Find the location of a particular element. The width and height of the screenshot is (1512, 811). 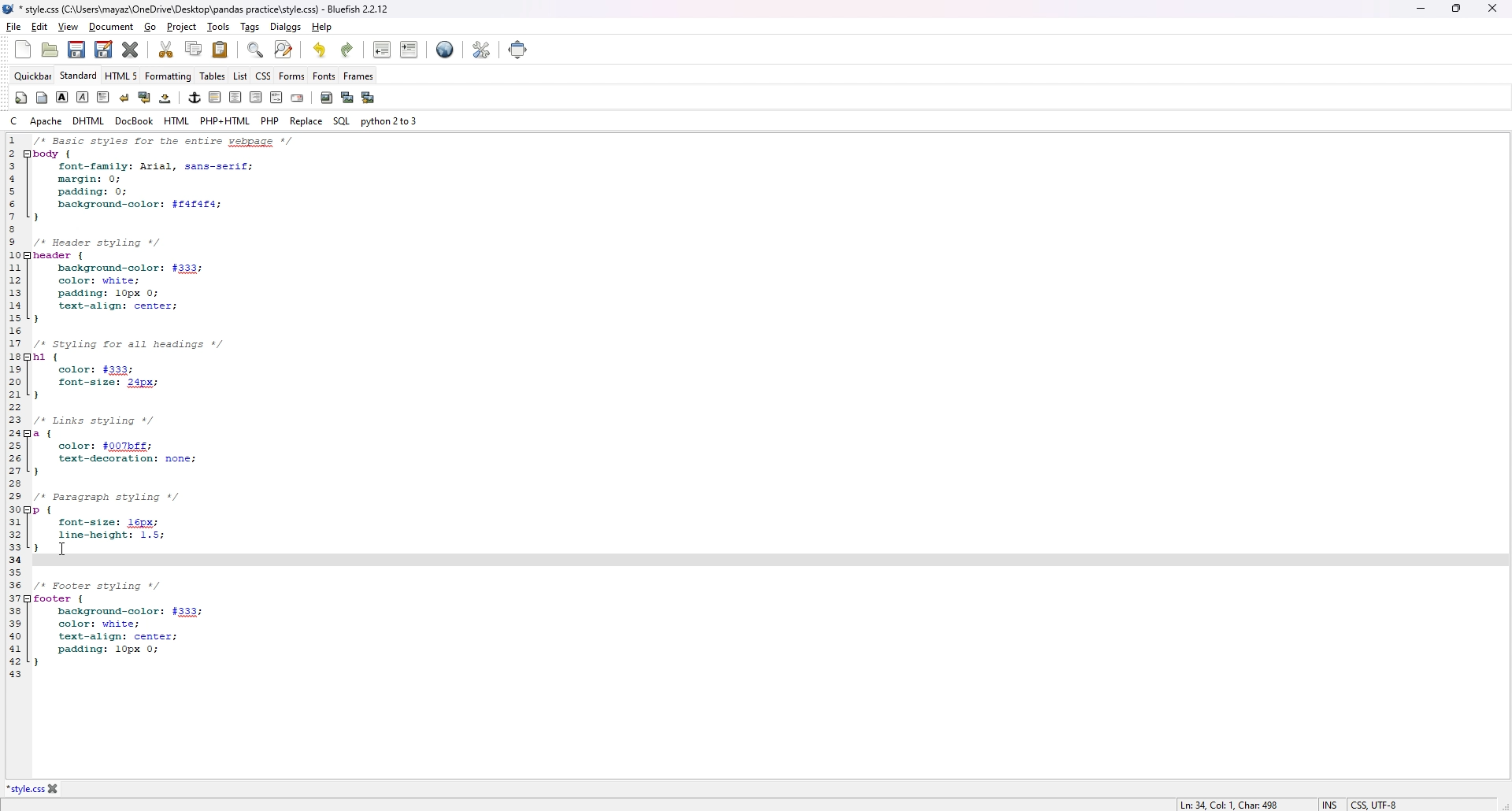

find bar is located at coordinates (254, 50).